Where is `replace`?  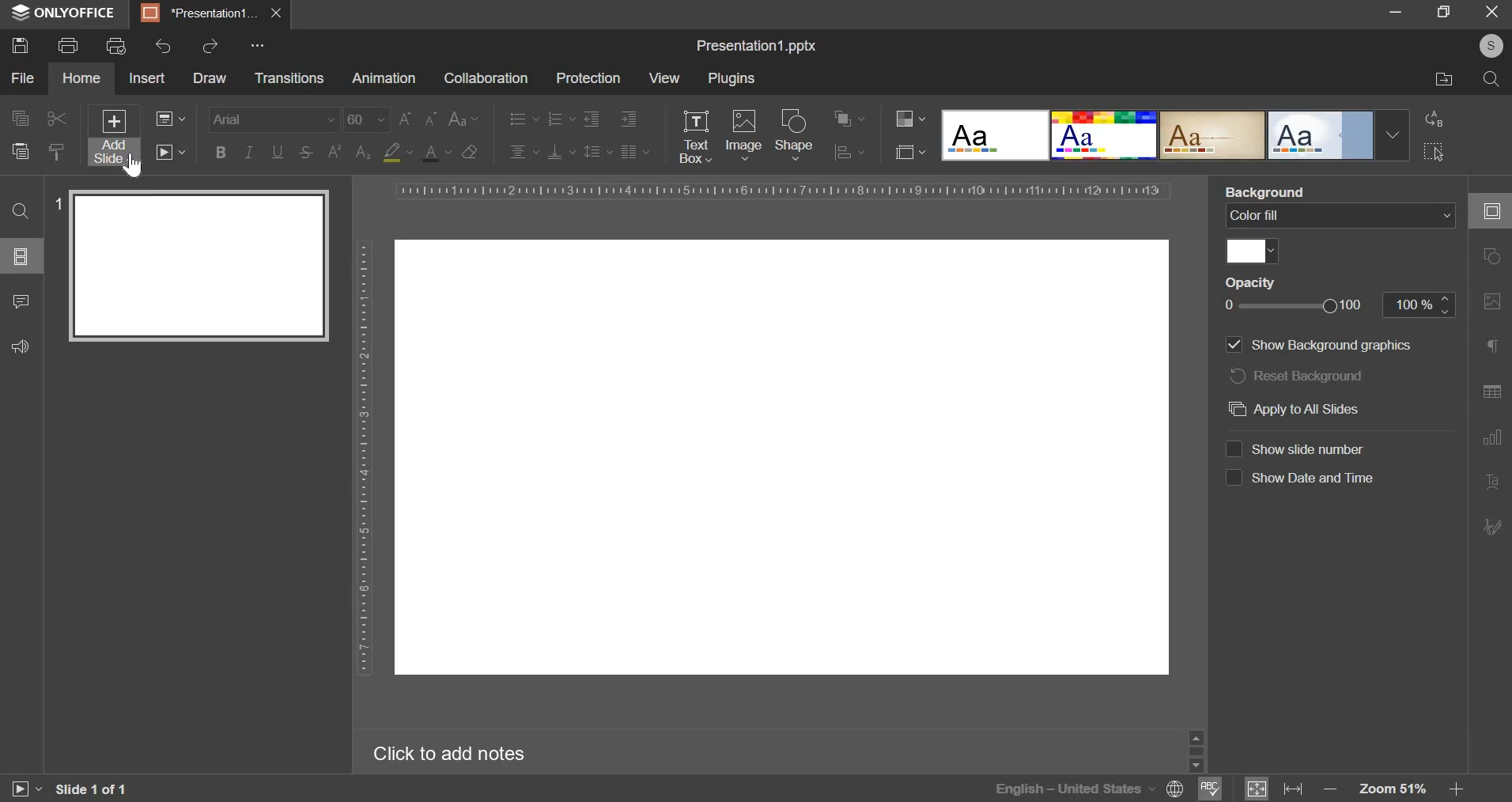 replace is located at coordinates (1431, 119).